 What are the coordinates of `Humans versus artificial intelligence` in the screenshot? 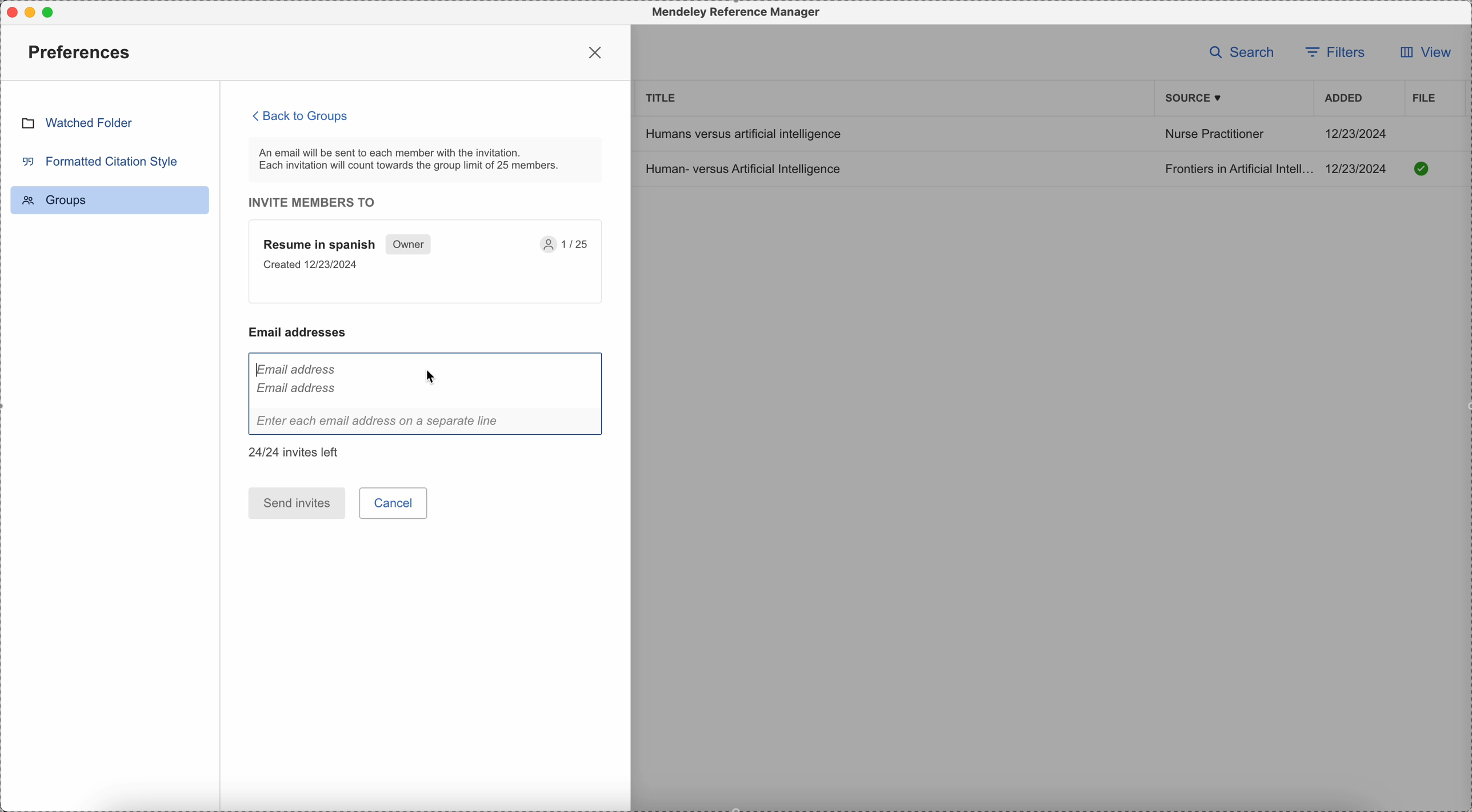 It's located at (742, 133).